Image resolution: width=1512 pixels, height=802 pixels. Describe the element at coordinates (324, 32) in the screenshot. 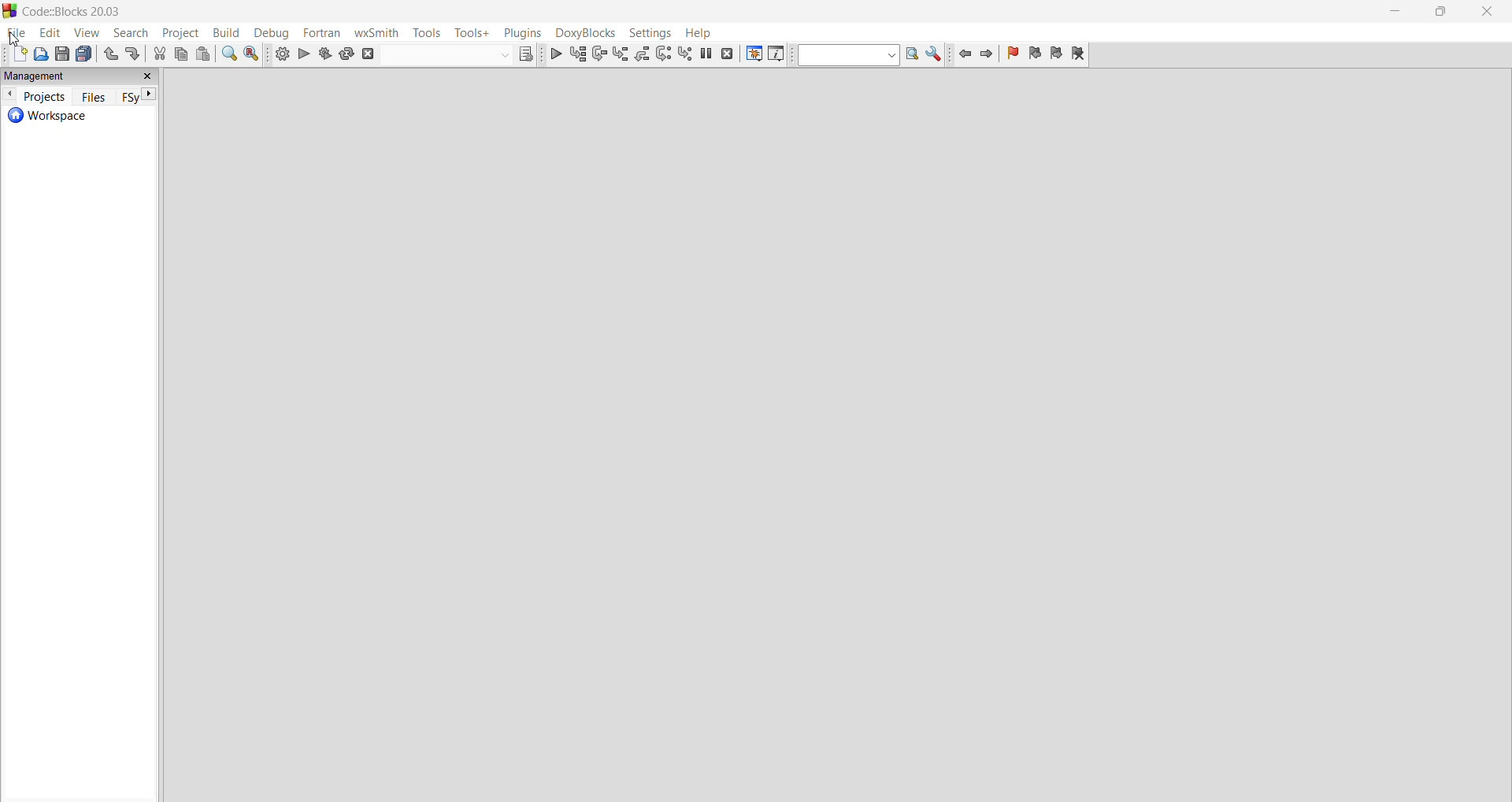

I see `fortran` at that location.